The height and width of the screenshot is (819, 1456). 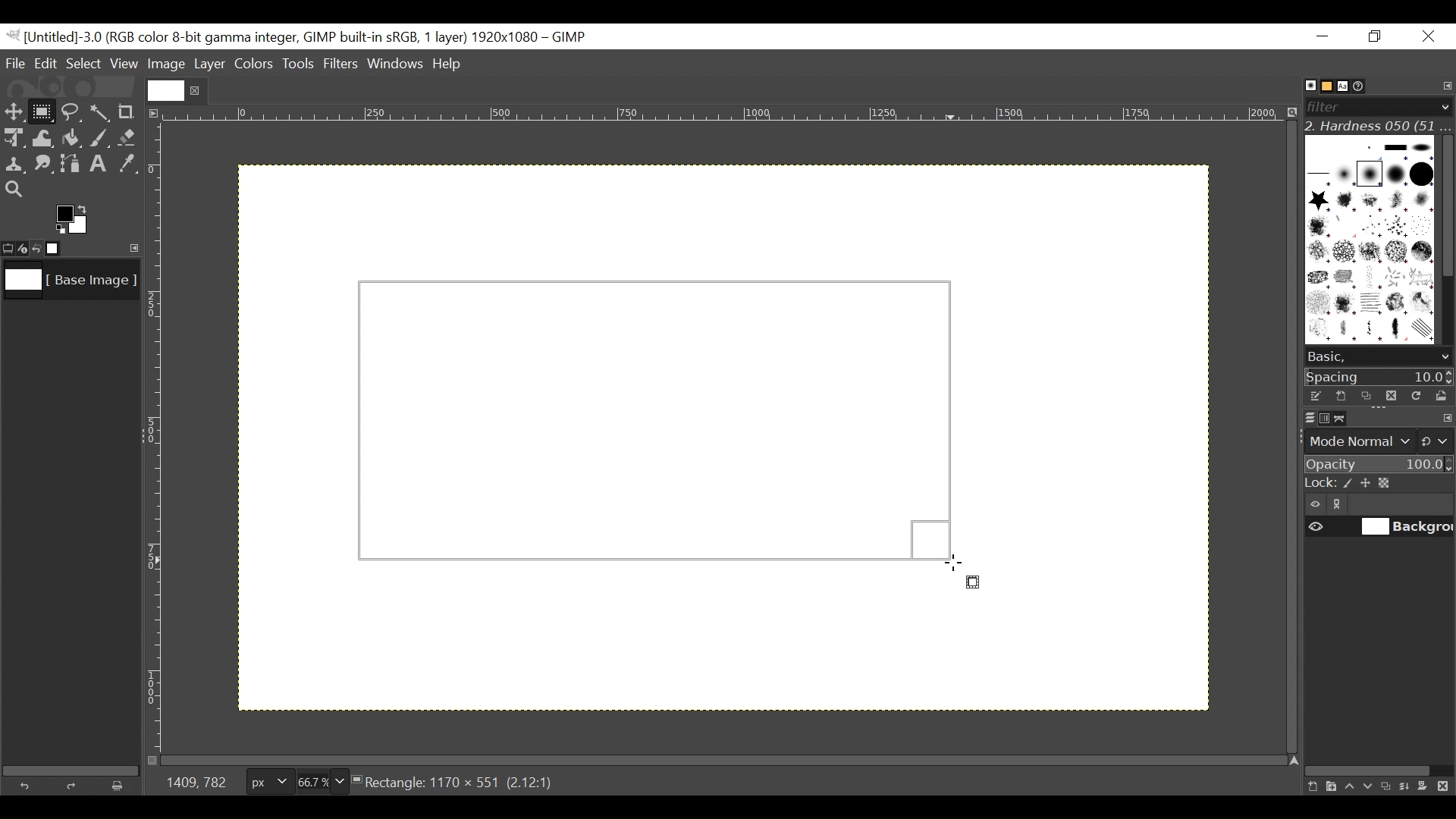 What do you see at coordinates (322, 780) in the screenshot?
I see `Zoom factor` at bounding box center [322, 780].